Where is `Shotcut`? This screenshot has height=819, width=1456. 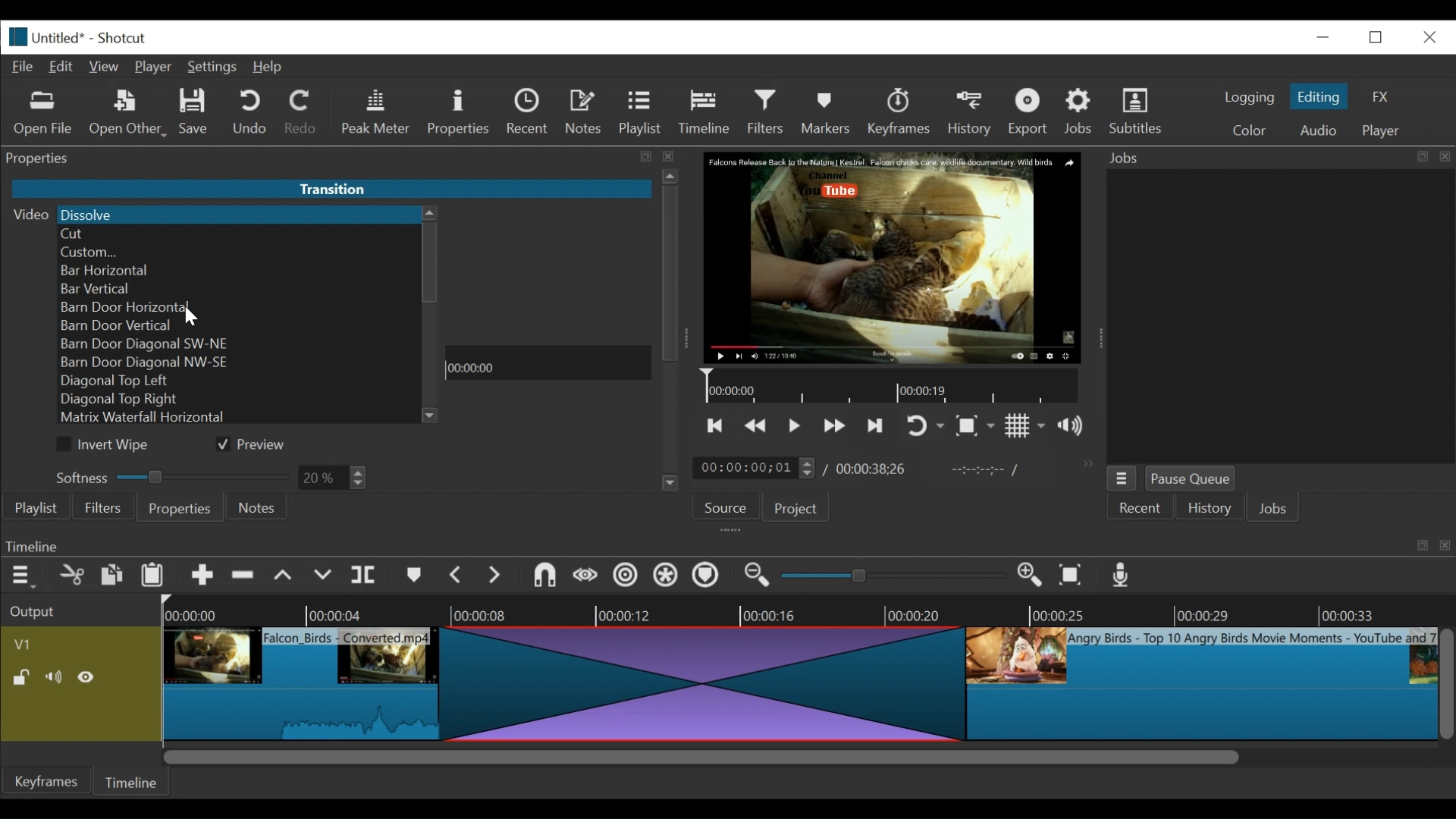 Shotcut is located at coordinates (121, 39).